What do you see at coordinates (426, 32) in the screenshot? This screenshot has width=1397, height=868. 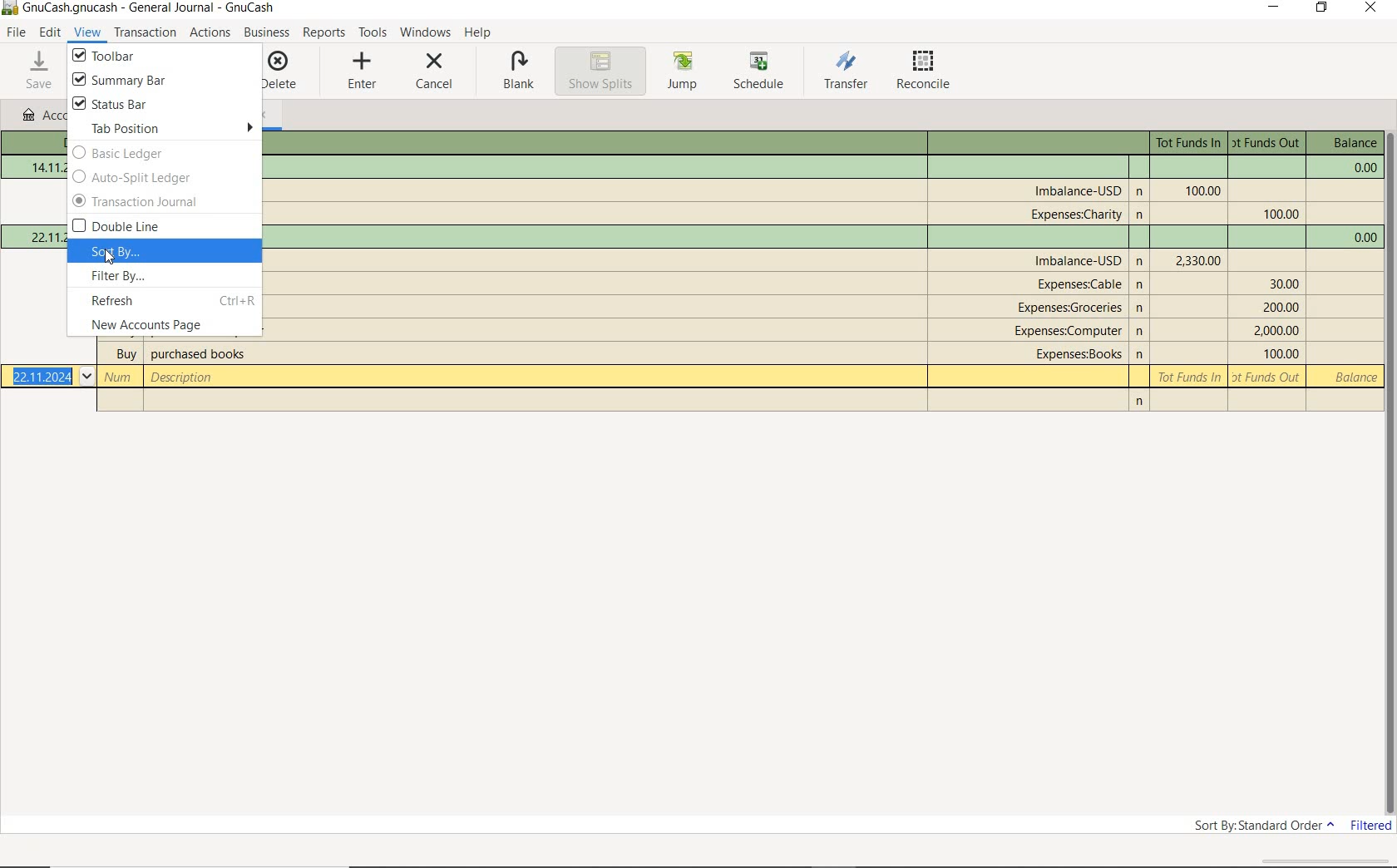 I see `WINDOWS` at bounding box center [426, 32].